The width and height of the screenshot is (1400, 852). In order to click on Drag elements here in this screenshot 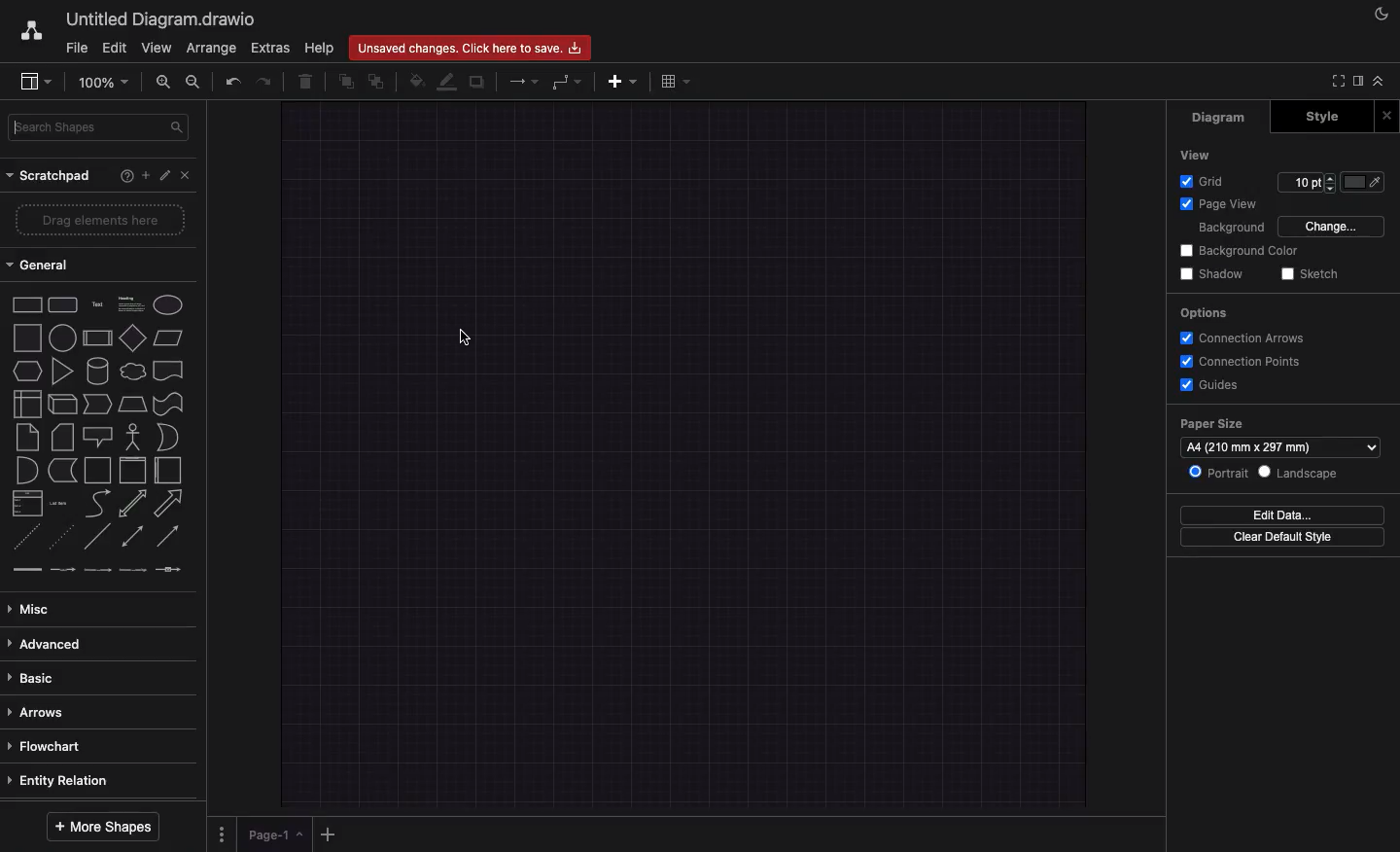, I will do `click(99, 221)`.